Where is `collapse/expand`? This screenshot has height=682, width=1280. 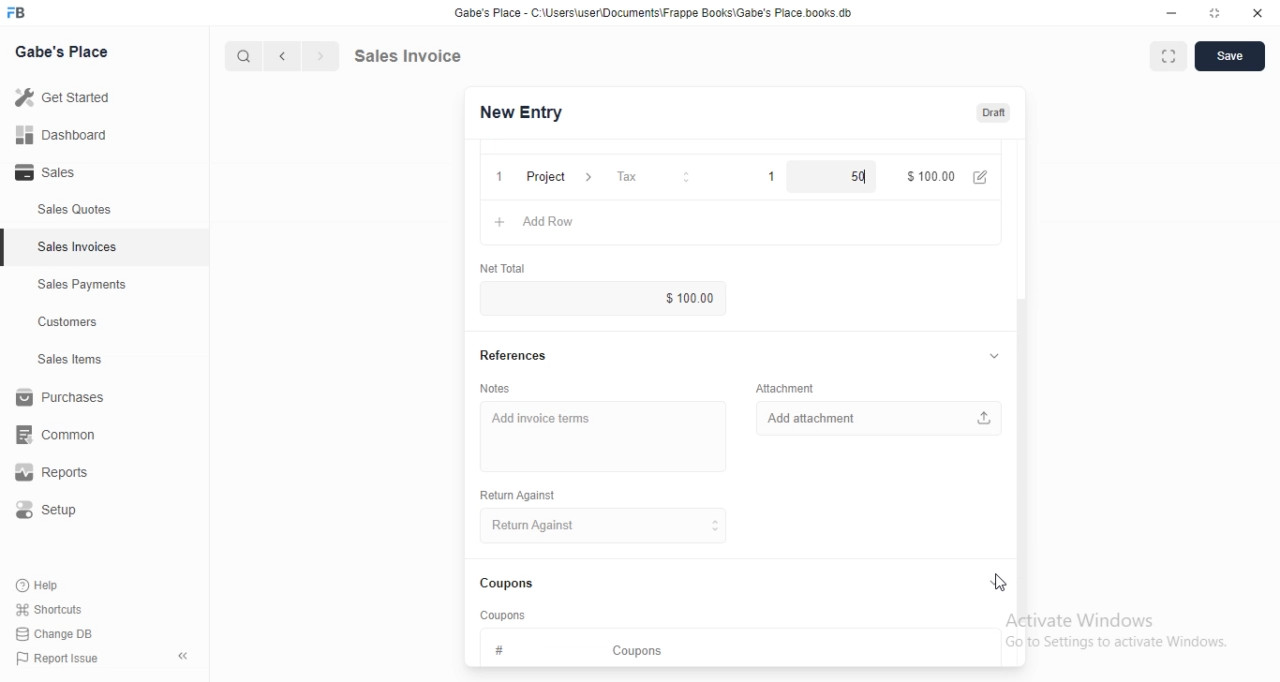 collapse/expand is located at coordinates (994, 584).